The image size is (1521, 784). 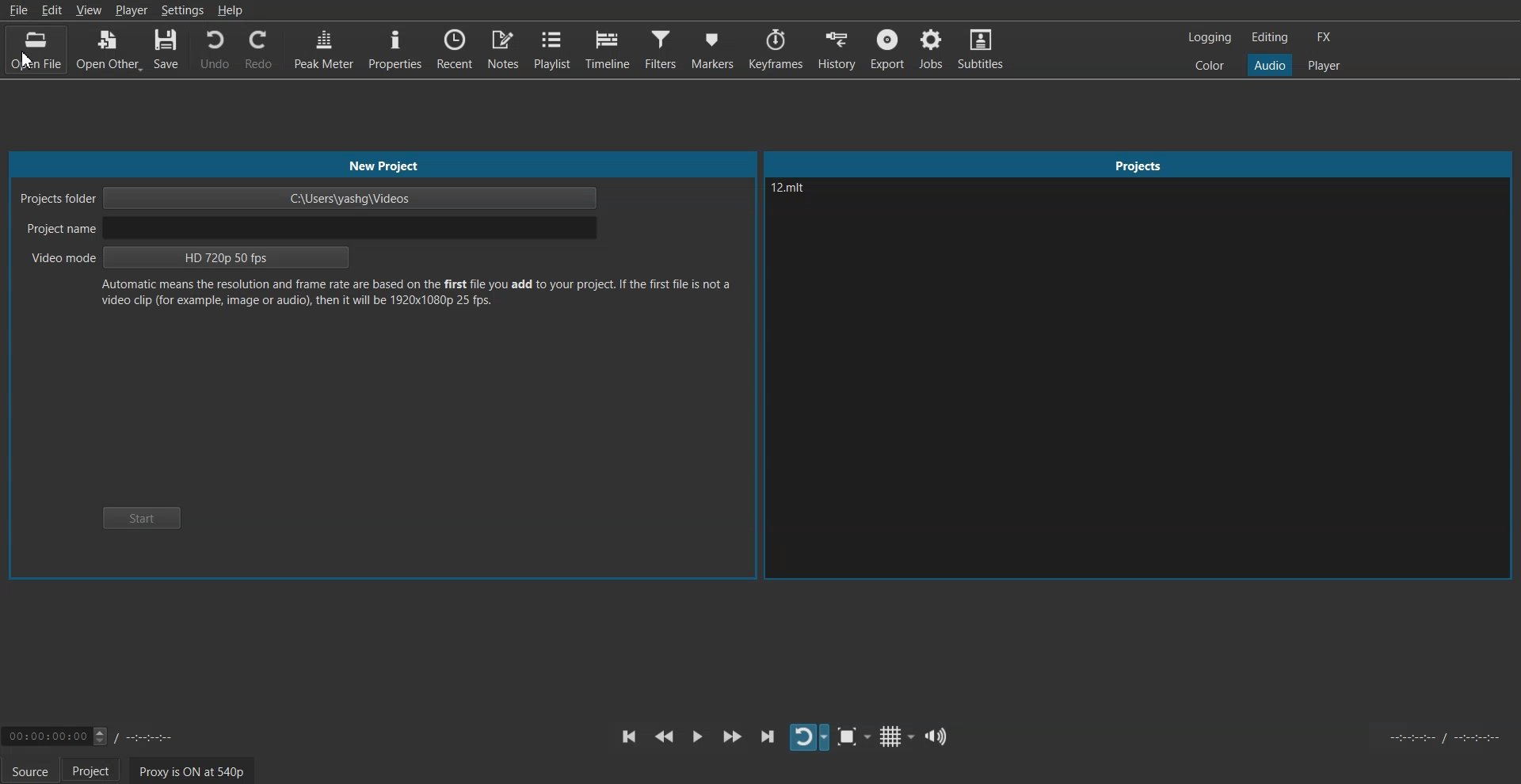 I want to click on Playlist, so click(x=553, y=49).